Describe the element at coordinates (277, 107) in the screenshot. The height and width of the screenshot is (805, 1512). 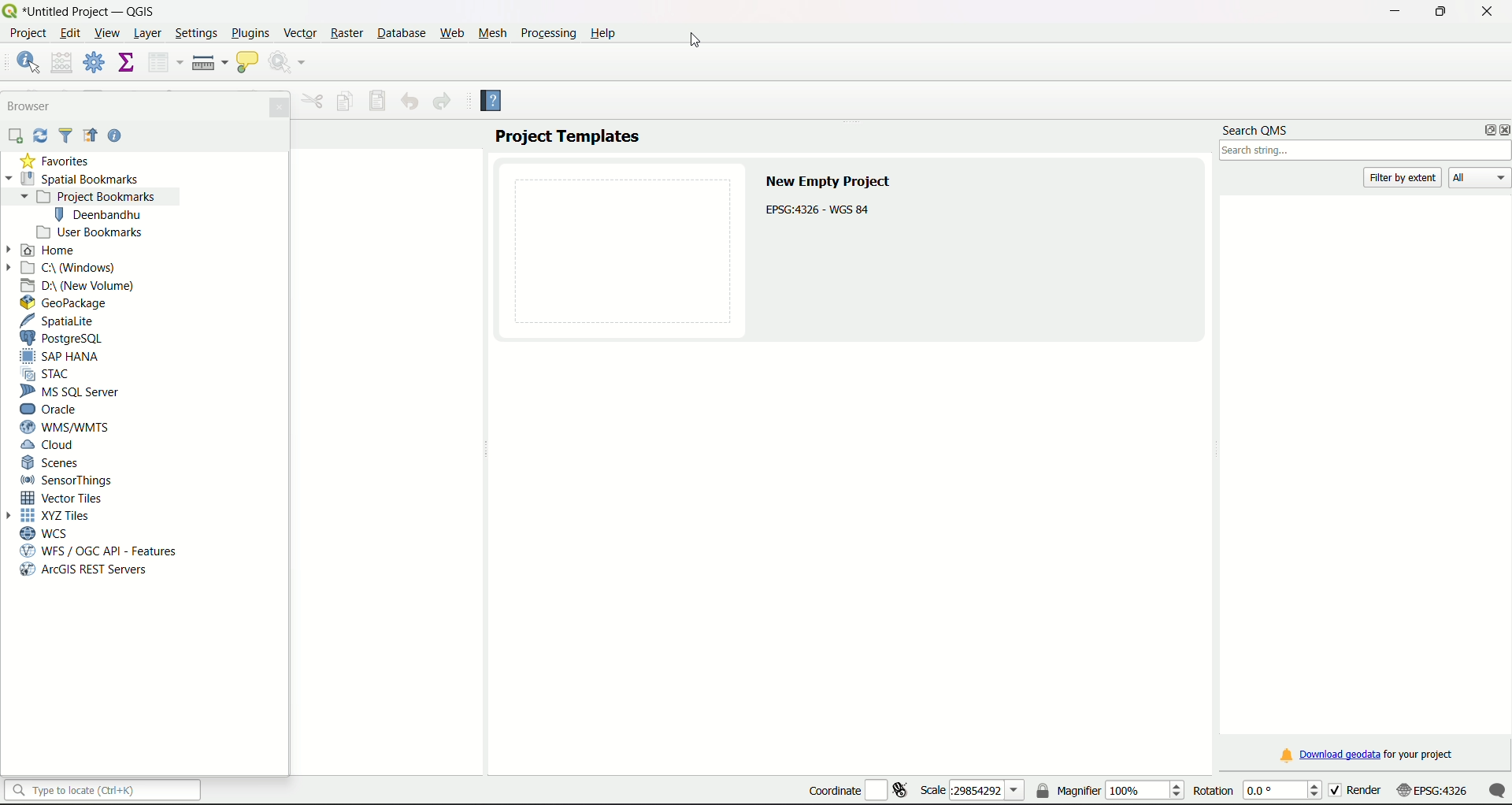
I see `Close` at that location.